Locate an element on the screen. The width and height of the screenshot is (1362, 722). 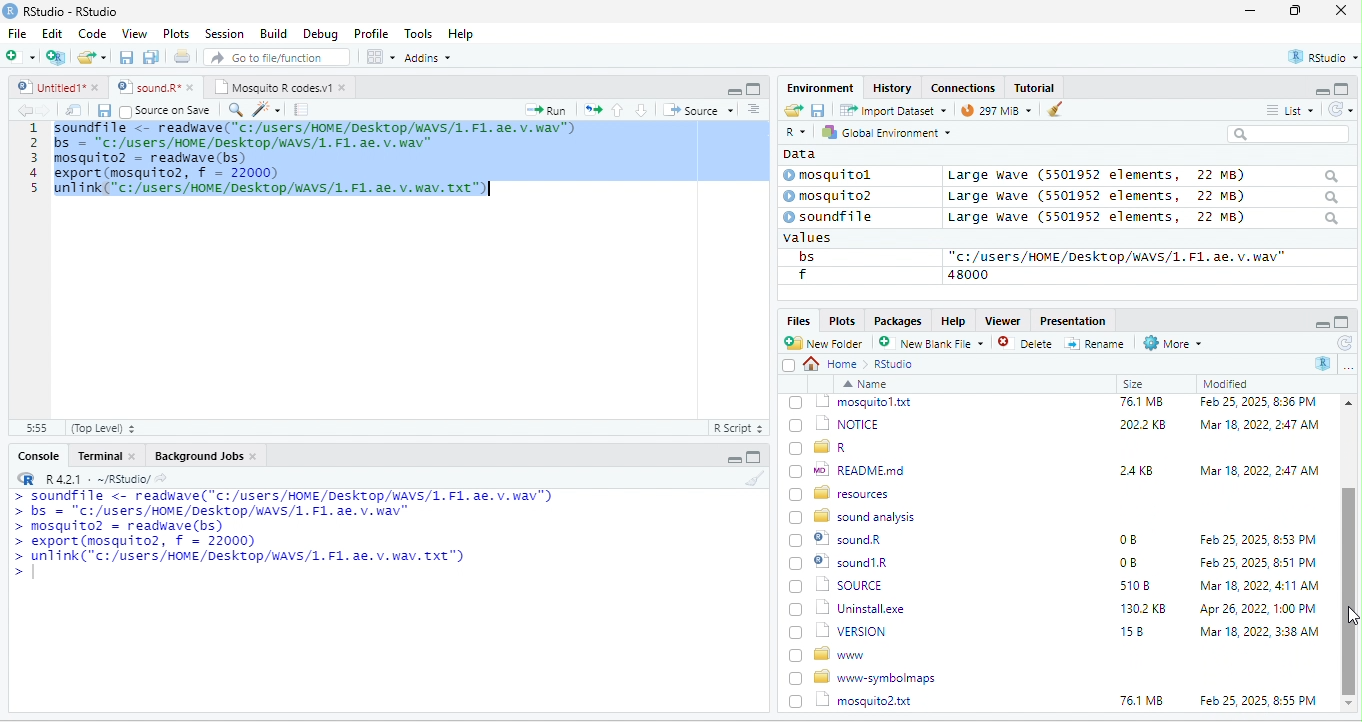
hy Global Environment ~ is located at coordinates (881, 132).